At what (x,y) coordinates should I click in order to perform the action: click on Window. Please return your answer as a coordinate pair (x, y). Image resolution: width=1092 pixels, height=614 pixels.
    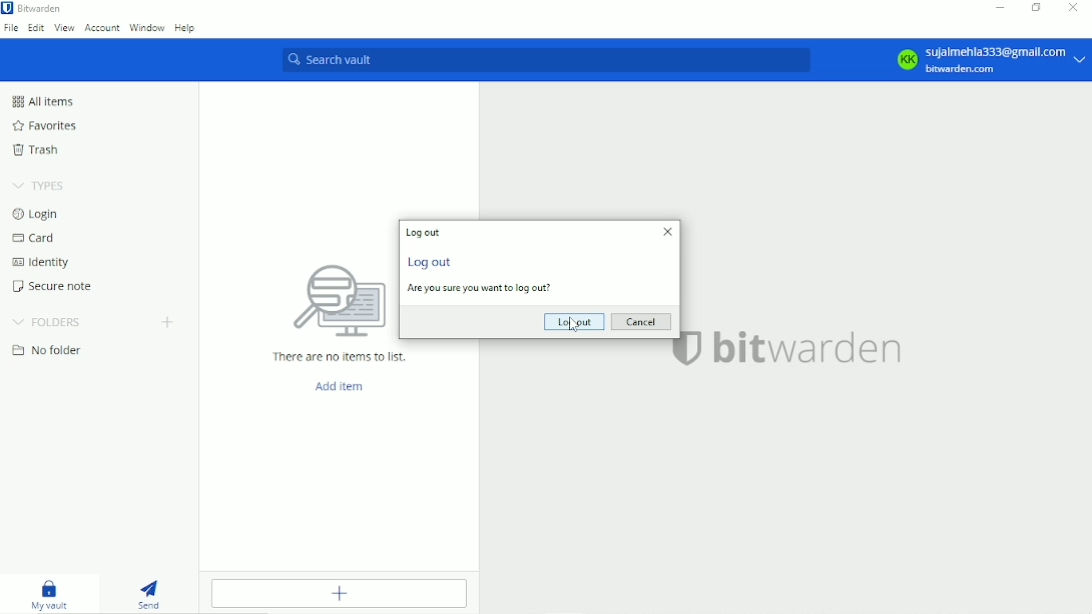
    Looking at the image, I should click on (145, 27).